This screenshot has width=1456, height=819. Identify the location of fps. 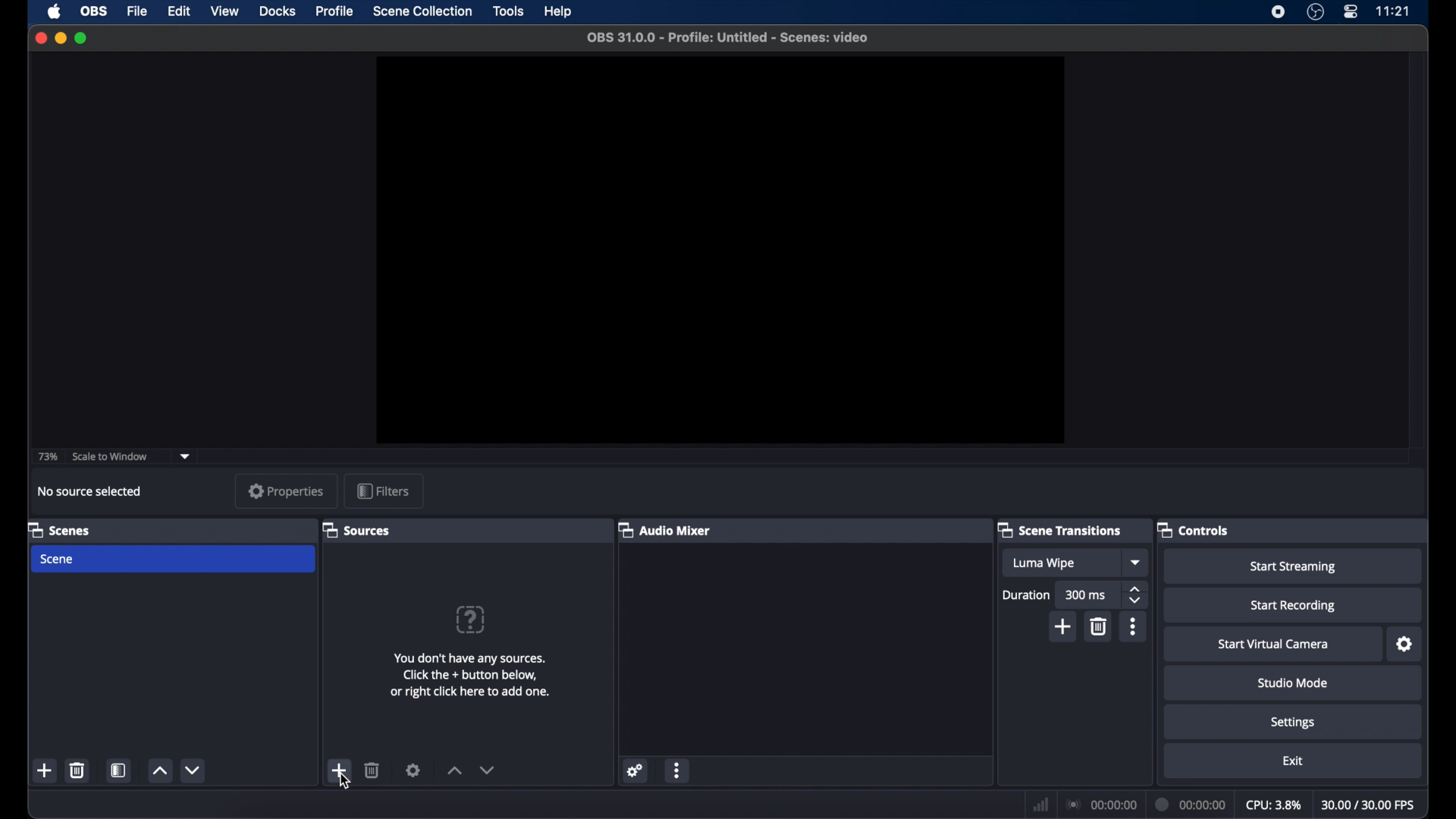
(1368, 805).